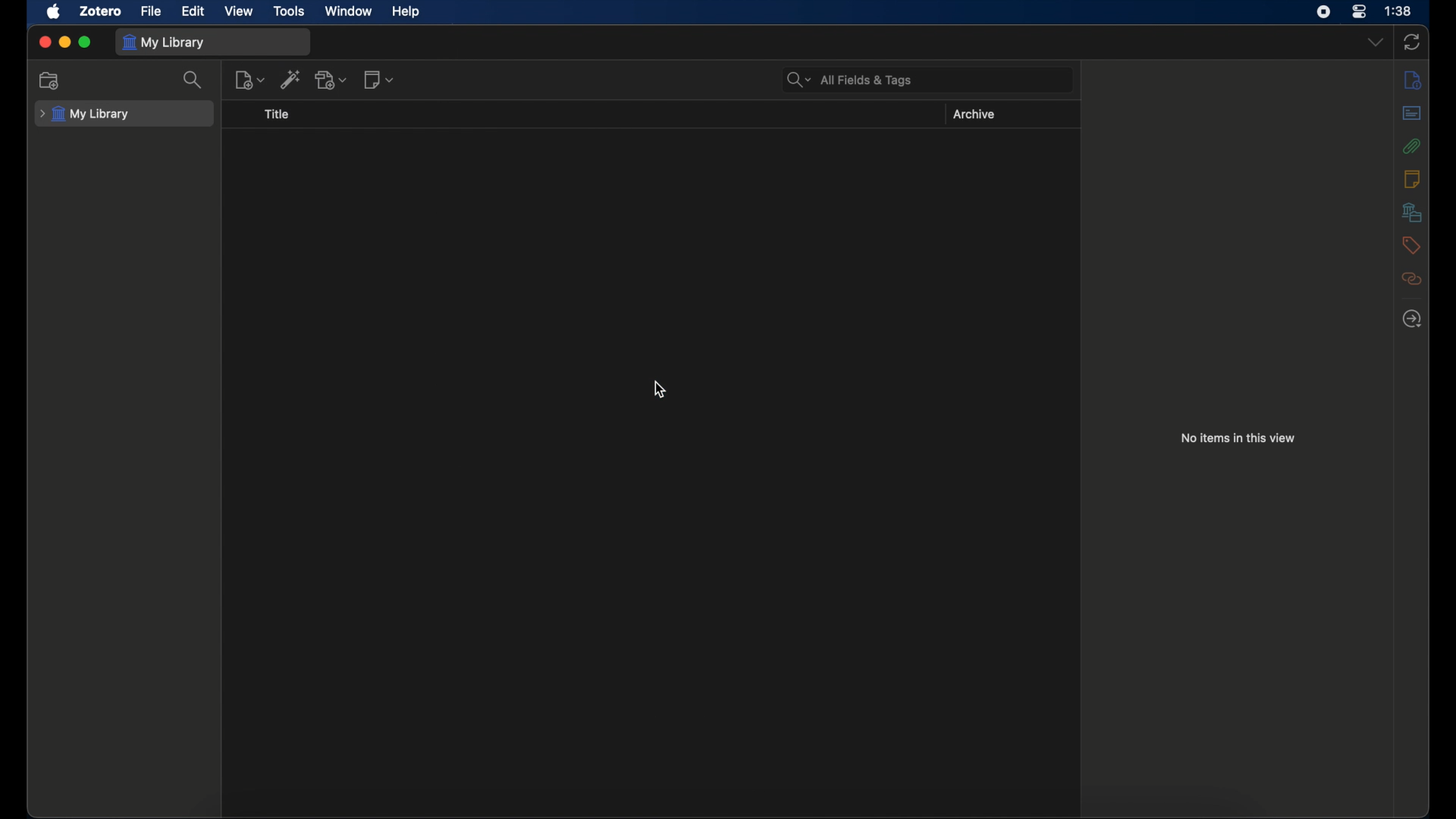  Describe the element at coordinates (1412, 212) in the screenshot. I see `library` at that location.